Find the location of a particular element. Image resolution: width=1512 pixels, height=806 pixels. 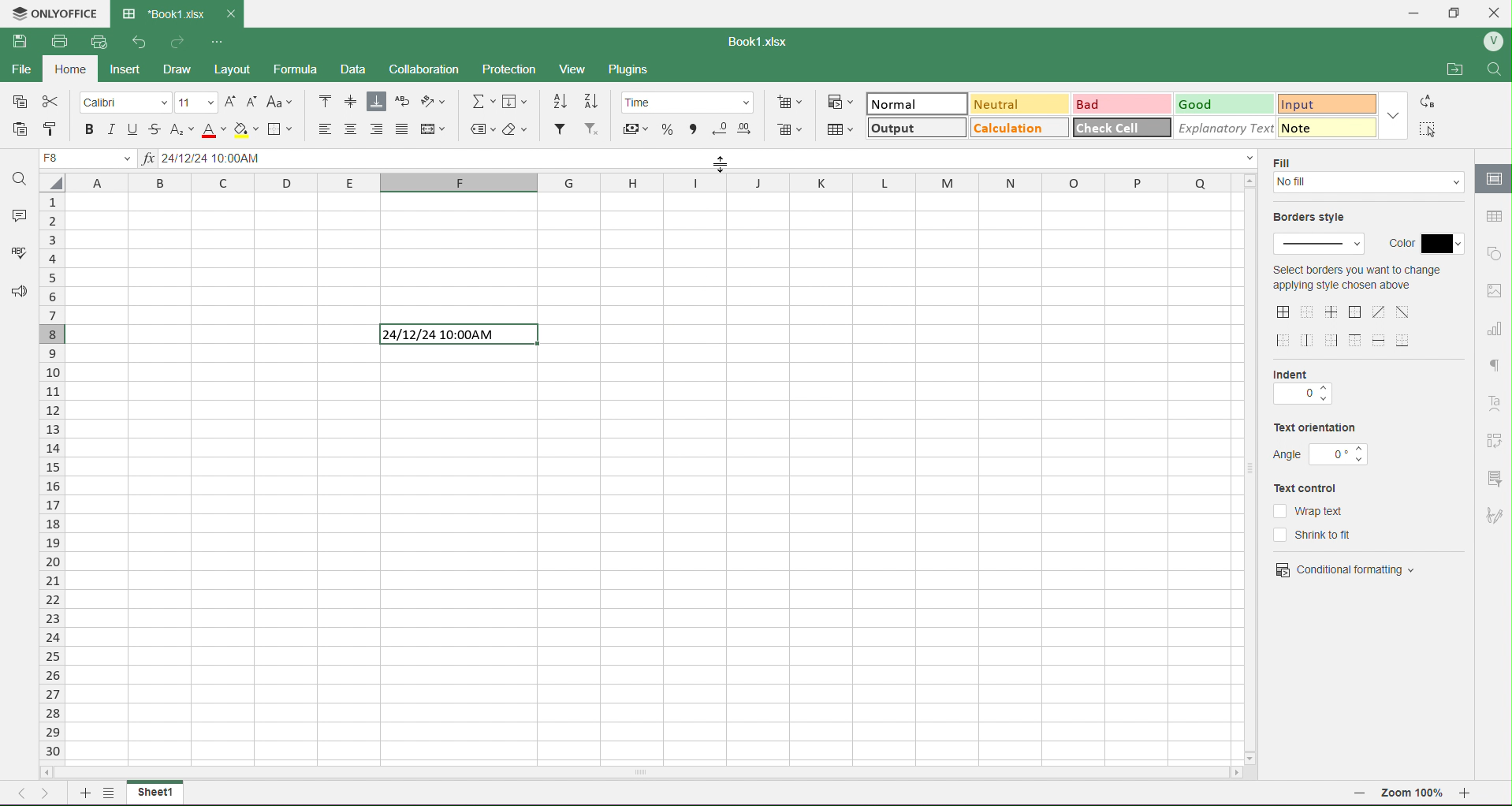

Quick Print is located at coordinates (97, 43).